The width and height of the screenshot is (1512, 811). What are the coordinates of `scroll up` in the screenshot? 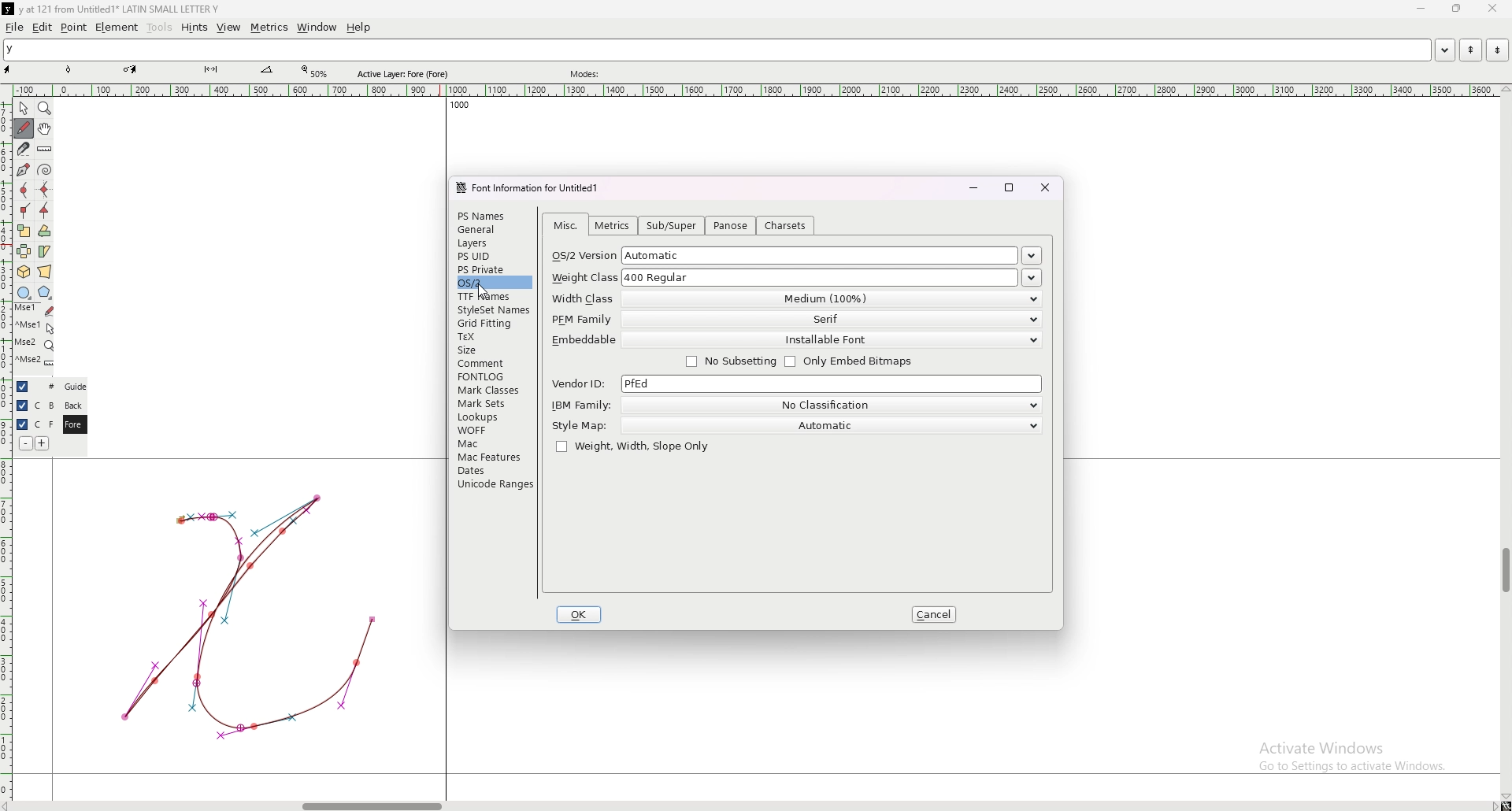 It's located at (1503, 90).